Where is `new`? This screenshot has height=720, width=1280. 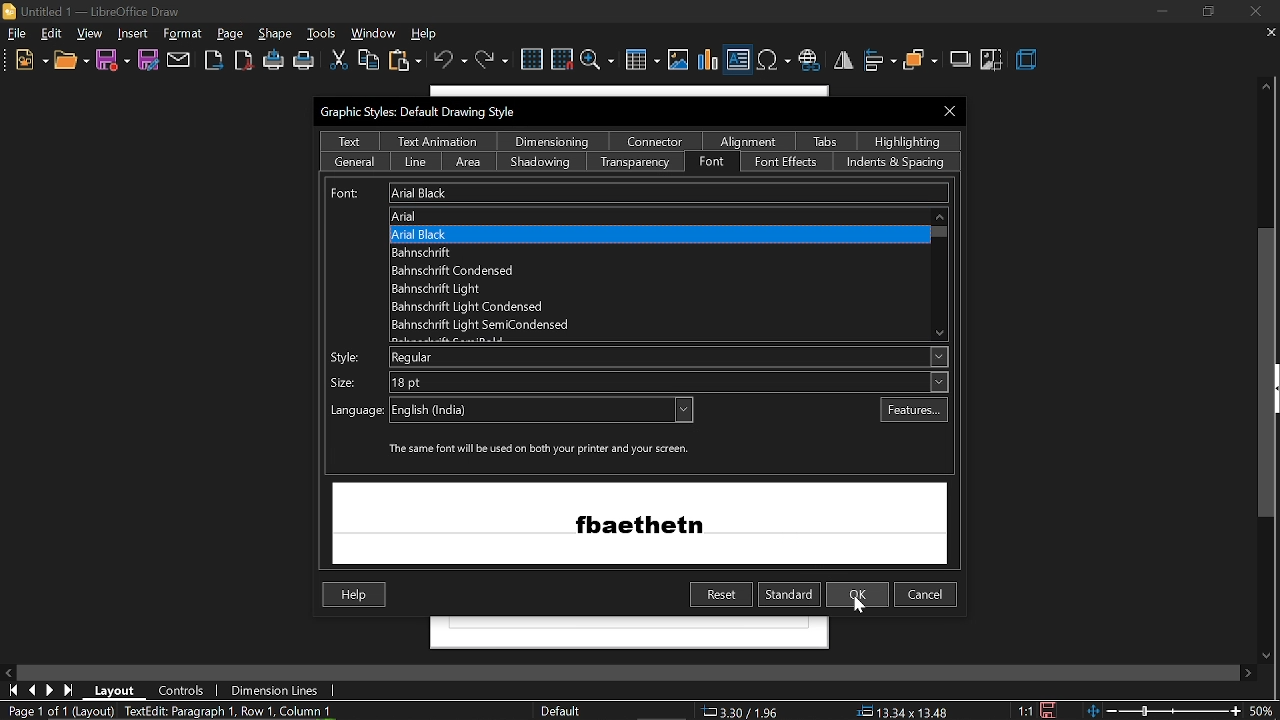
new is located at coordinates (30, 60).